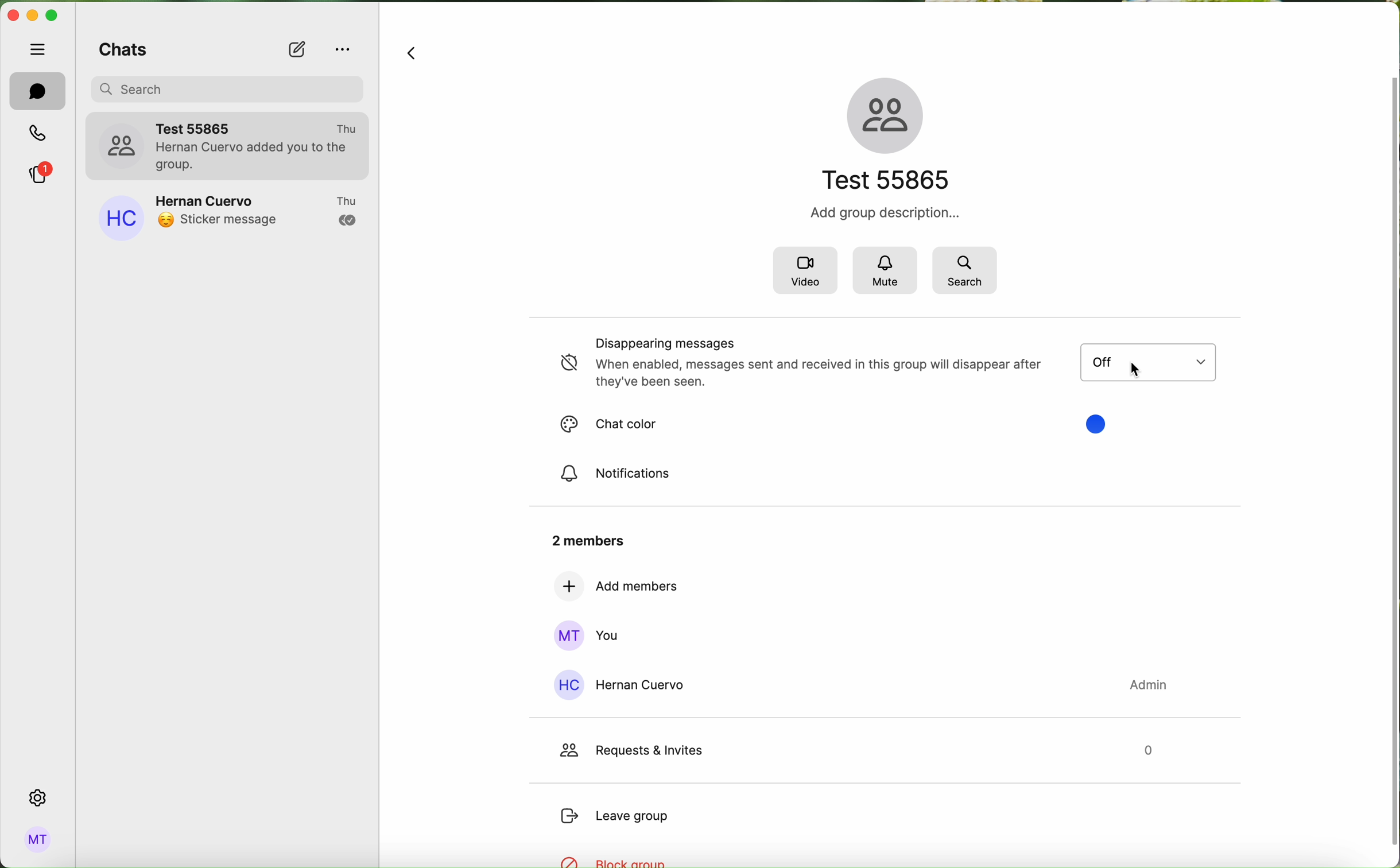  Describe the element at coordinates (341, 51) in the screenshot. I see `options` at that location.